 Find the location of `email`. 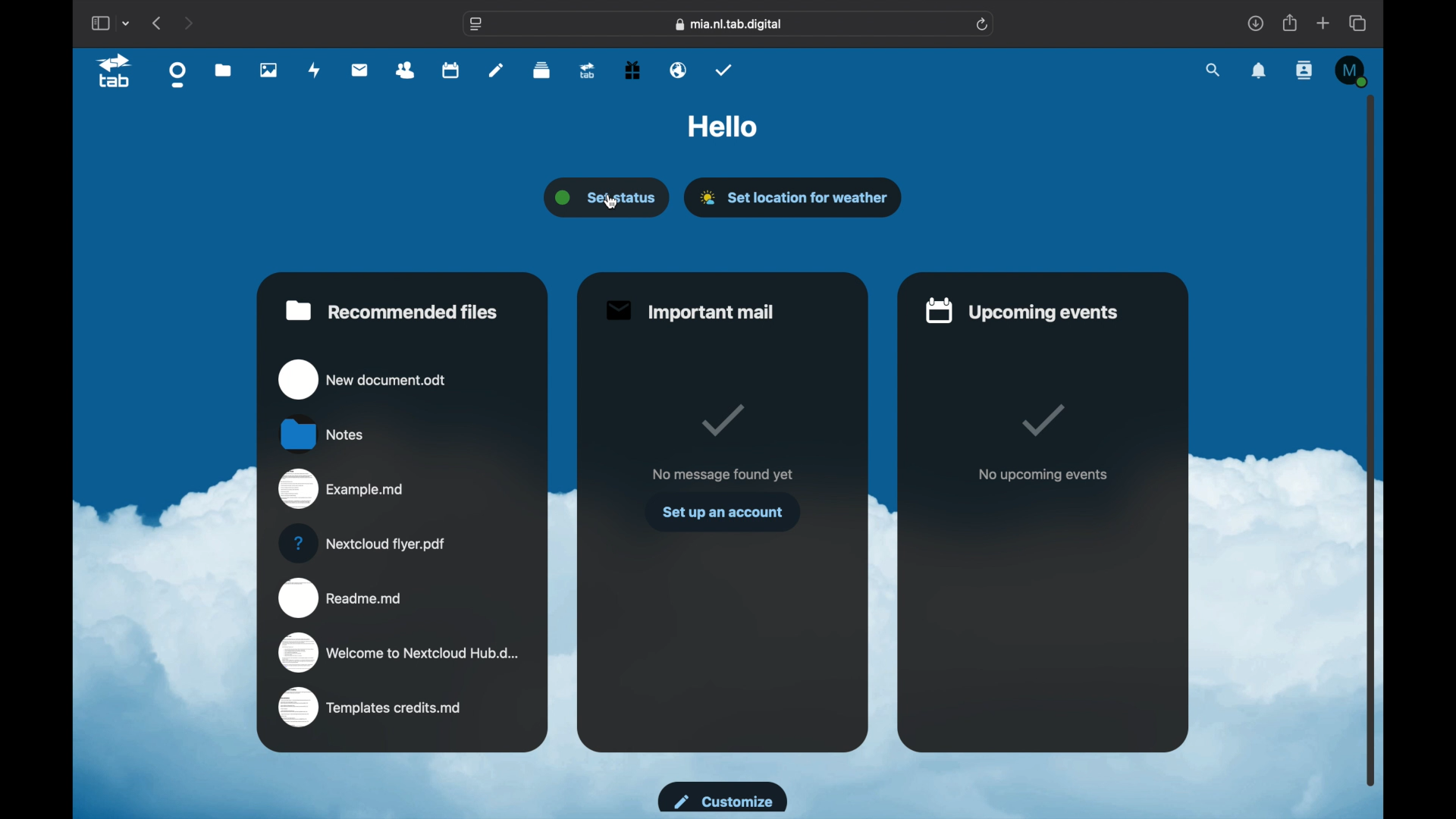

email is located at coordinates (679, 70).